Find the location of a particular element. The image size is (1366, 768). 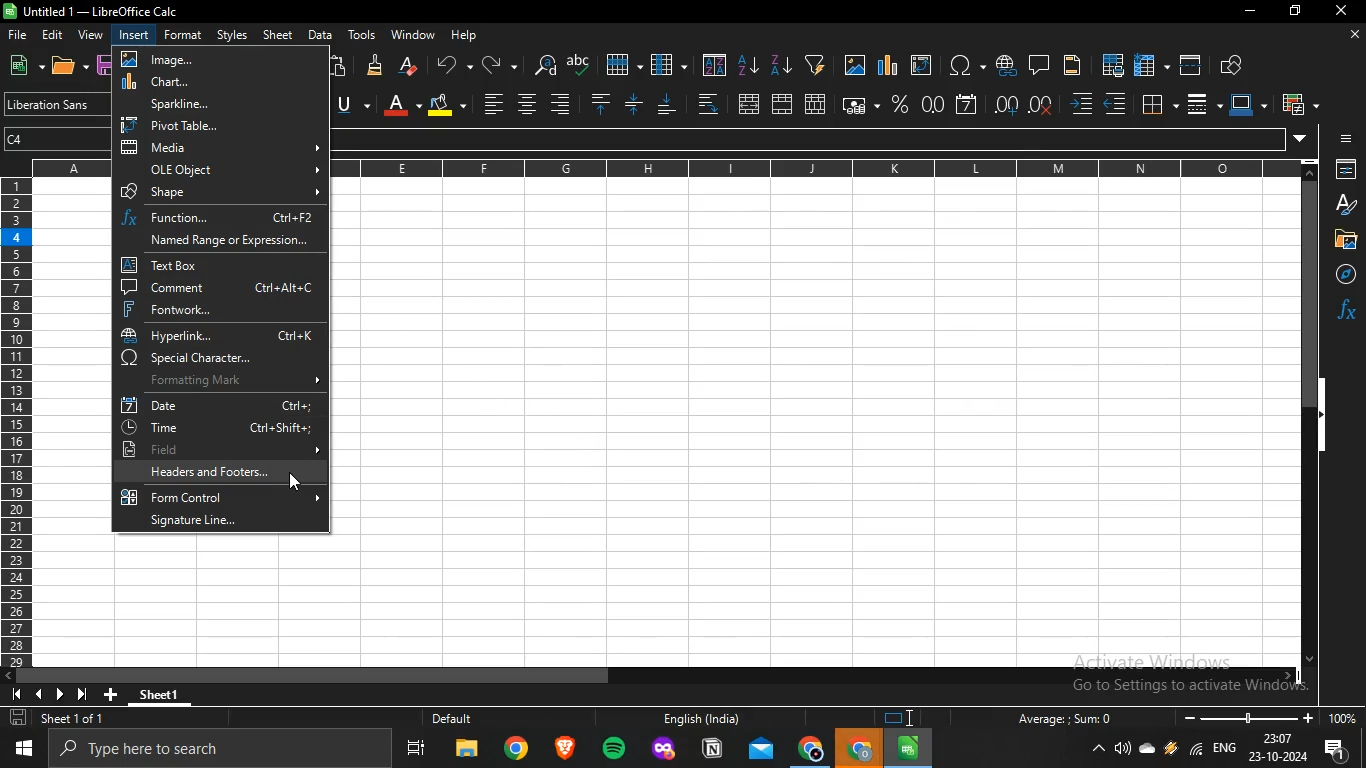

libreoffice calc is located at coordinates (909, 748).